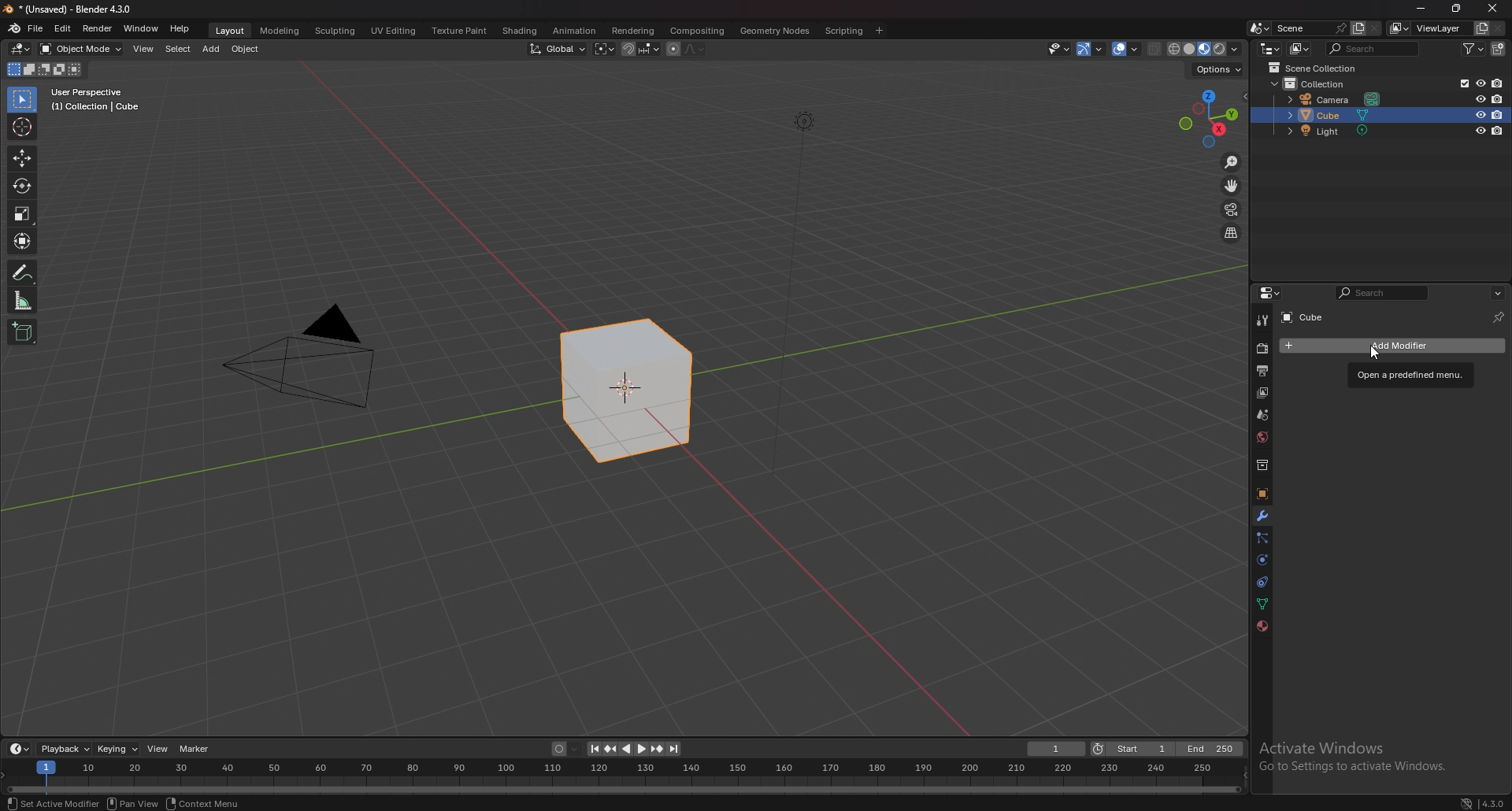  What do you see at coordinates (196, 750) in the screenshot?
I see `marker` at bounding box center [196, 750].